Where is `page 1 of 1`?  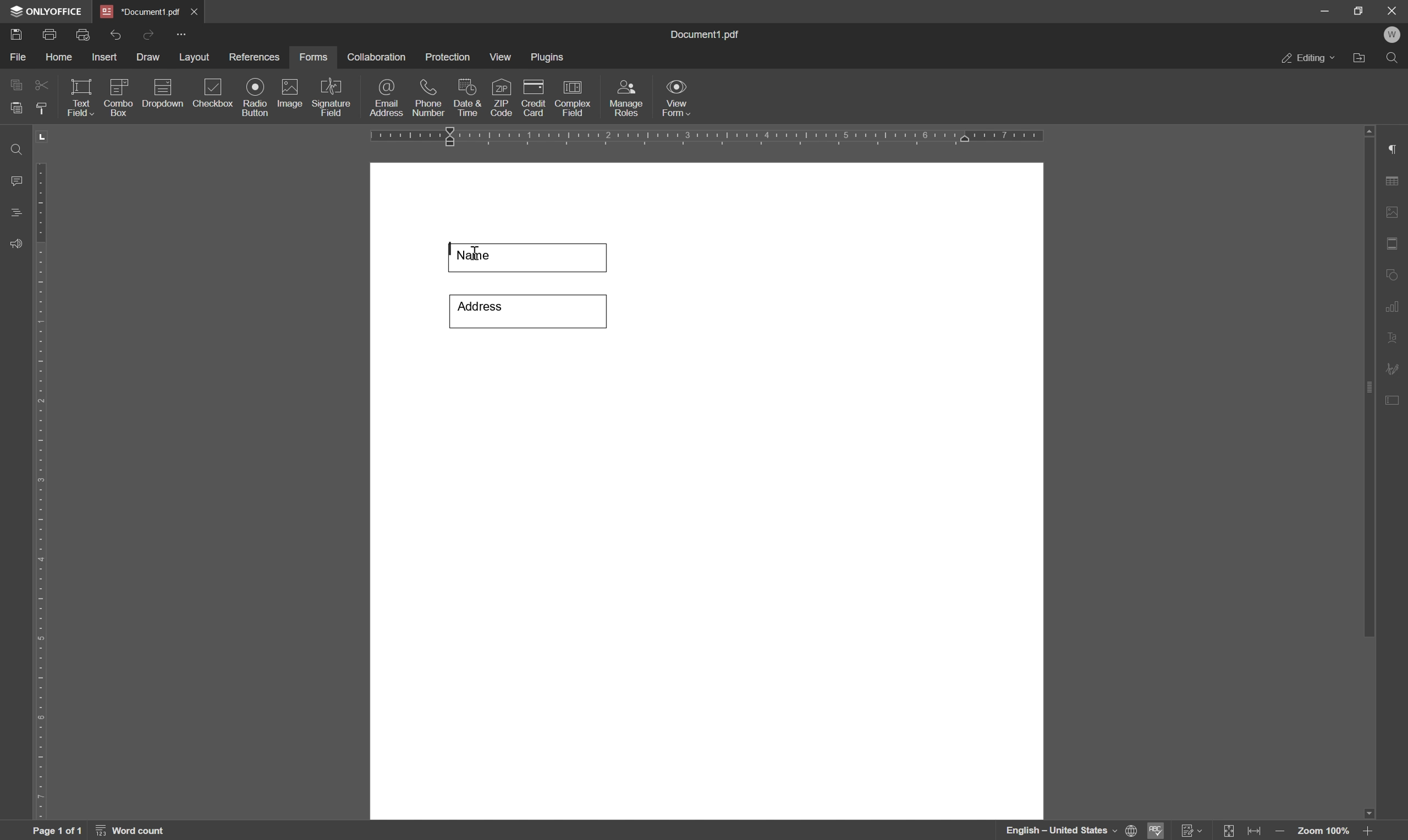 page 1 of 1 is located at coordinates (57, 831).